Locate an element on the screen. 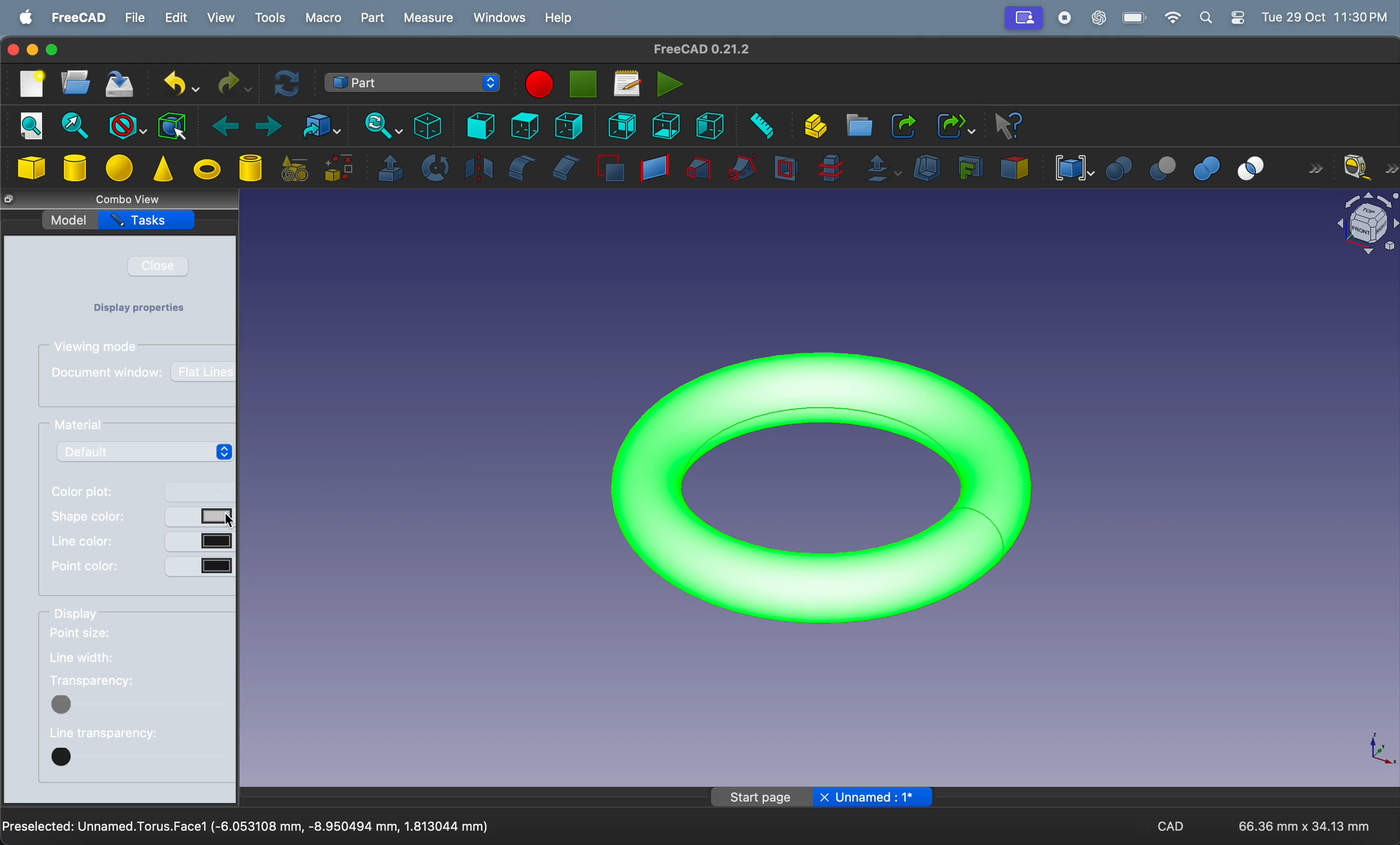 This screenshot has width=1400, height=845. union is located at coordinates (1205, 166).